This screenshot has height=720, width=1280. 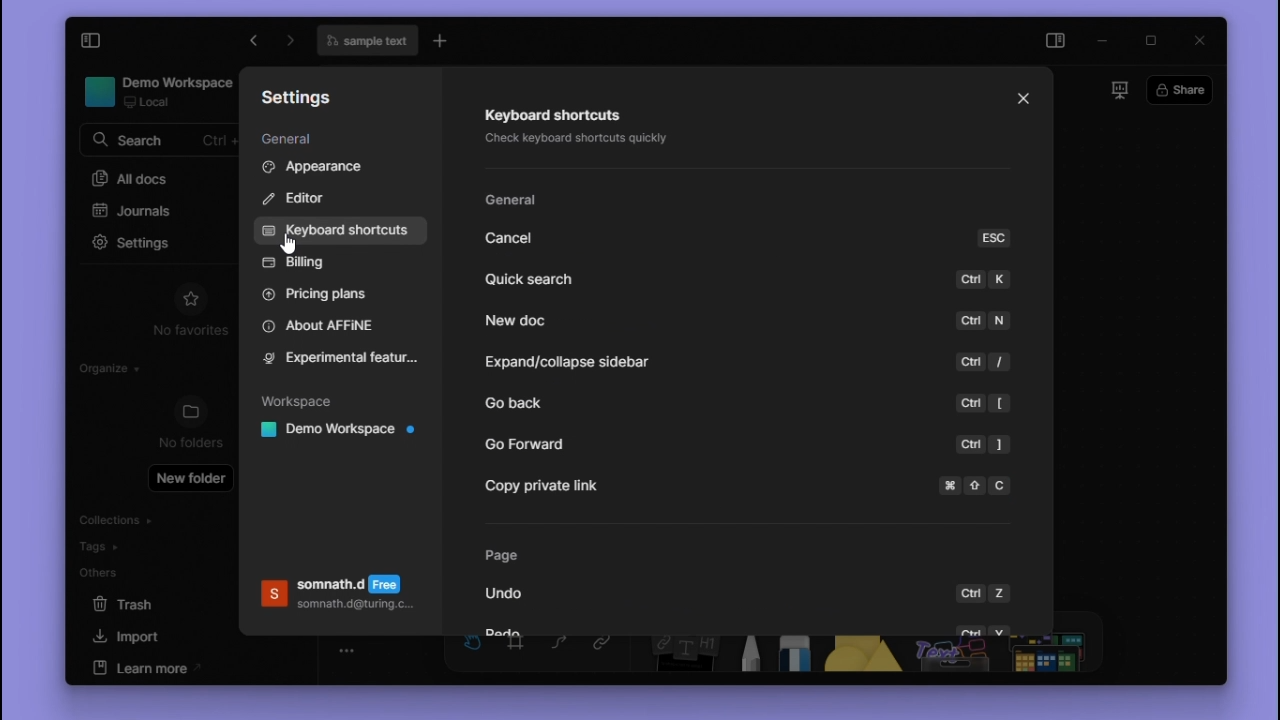 I want to click on share, so click(x=1180, y=89).